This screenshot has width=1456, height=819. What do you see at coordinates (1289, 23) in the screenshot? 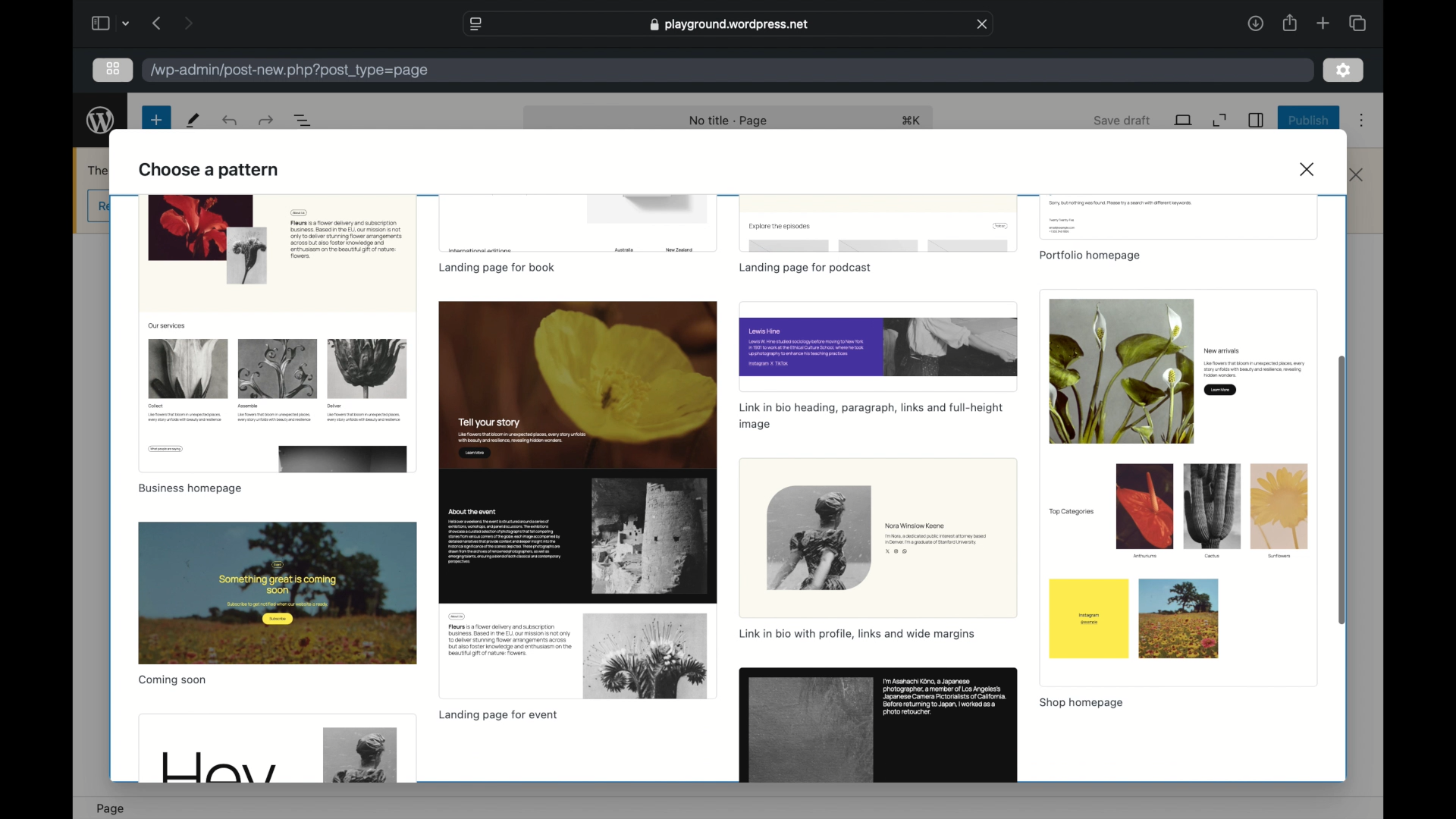
I see `share` at bounding box center [1289, 23].